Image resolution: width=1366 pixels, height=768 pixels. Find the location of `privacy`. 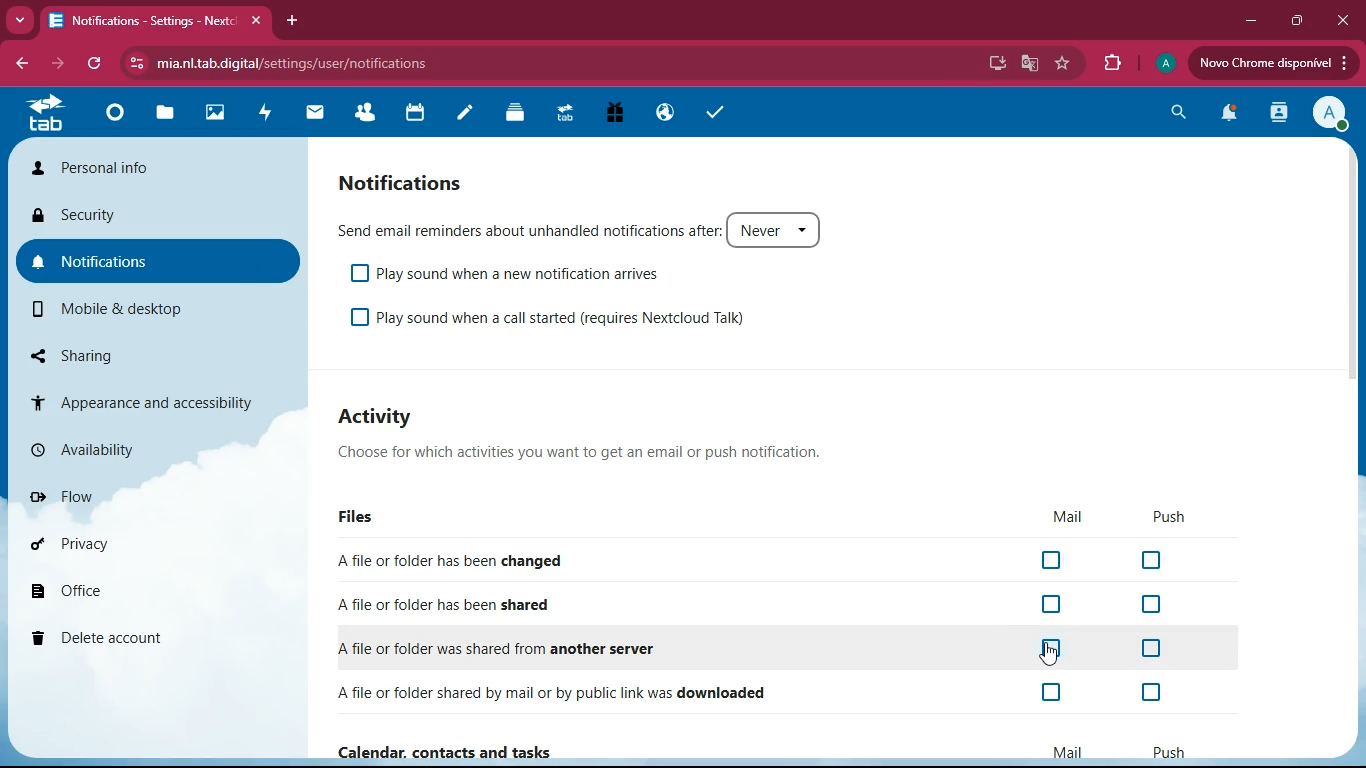

privacy is located at coordinates (126, 549).